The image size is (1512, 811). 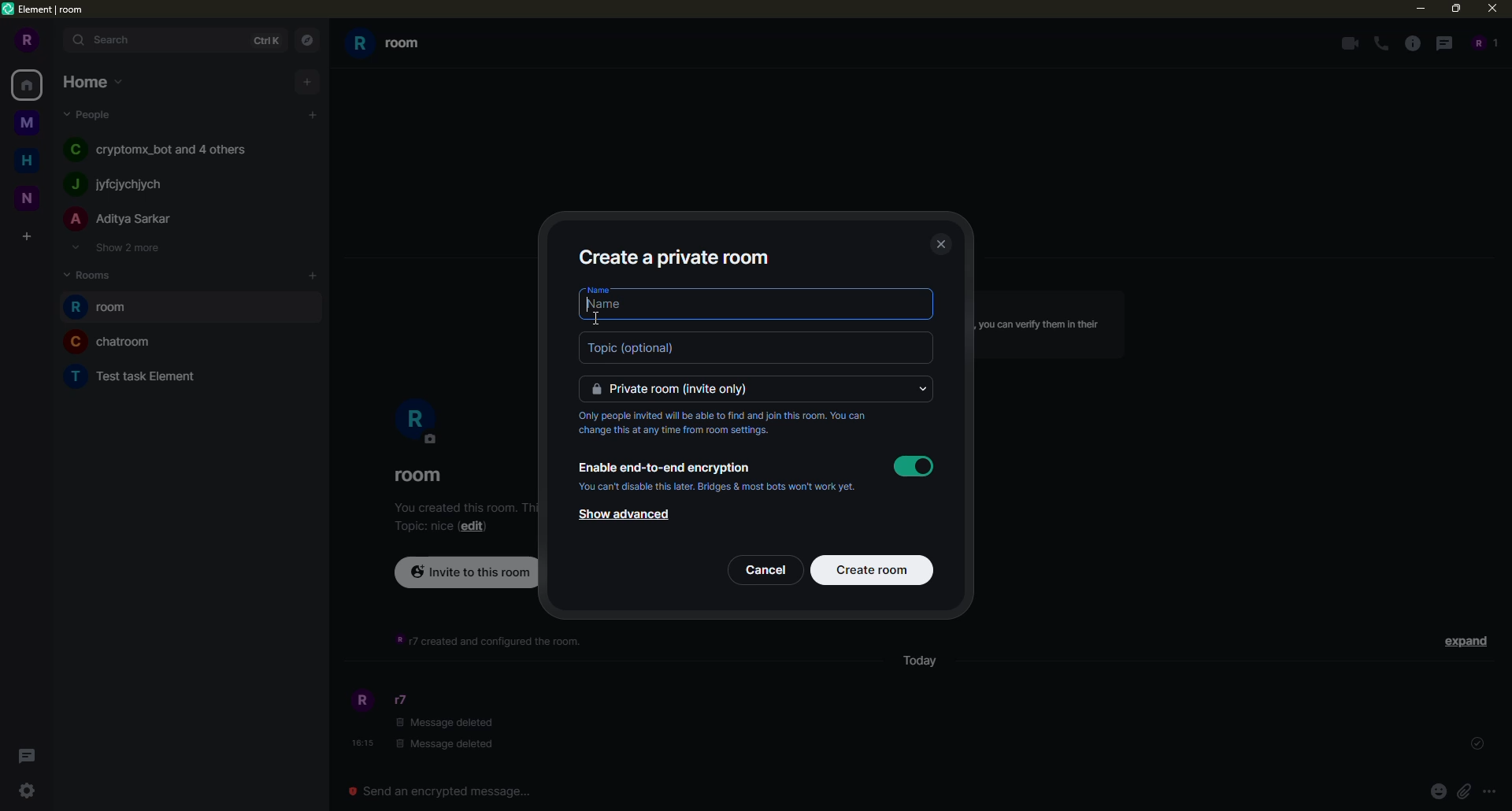 What do you see at coordinates (942, 244) in the screenshot?
I see `close` at bounding box center [942, 244].